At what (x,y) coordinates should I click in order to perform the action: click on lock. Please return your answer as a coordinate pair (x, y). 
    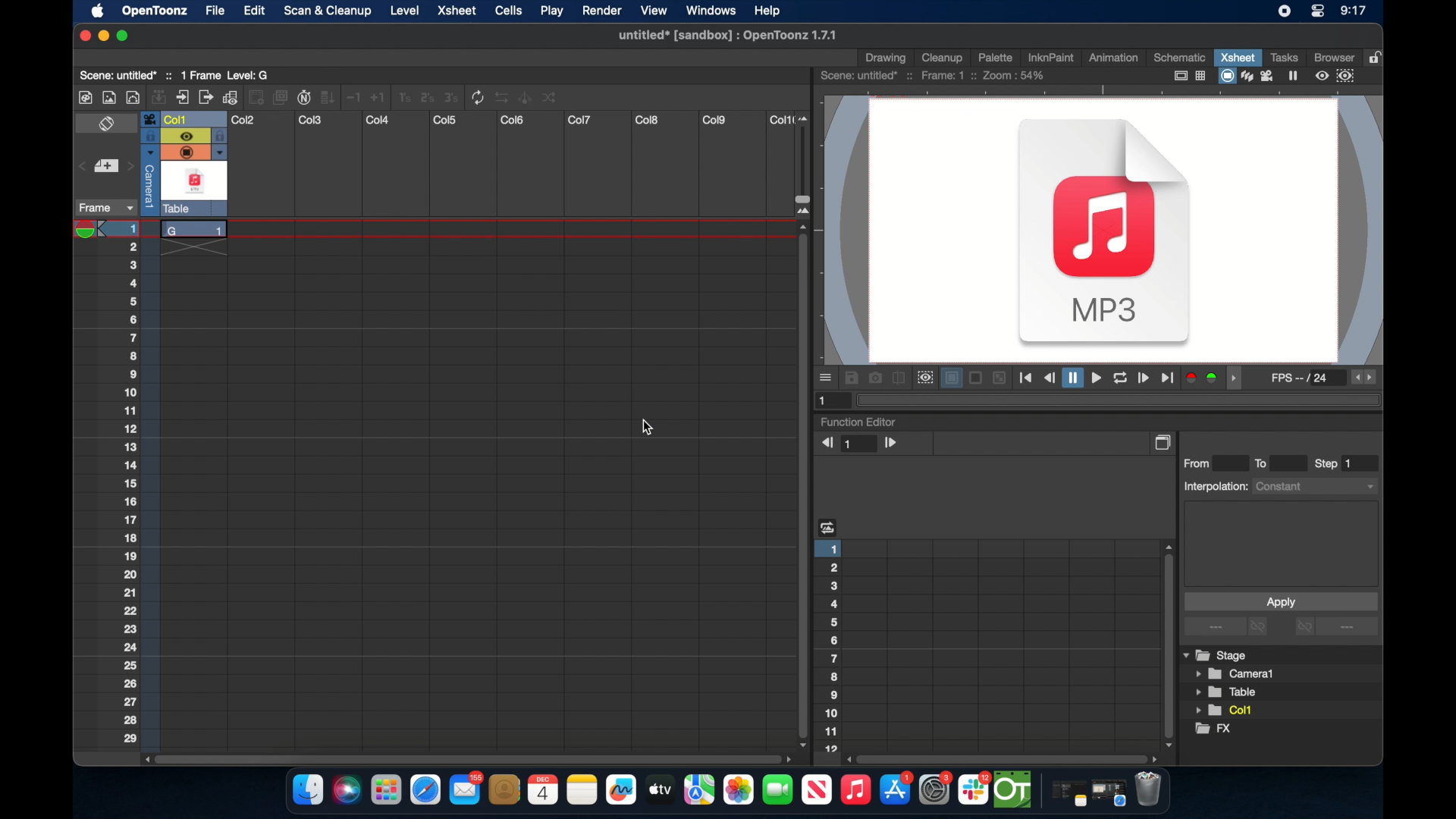
    Looking at the image, I should click on (1377, 56).